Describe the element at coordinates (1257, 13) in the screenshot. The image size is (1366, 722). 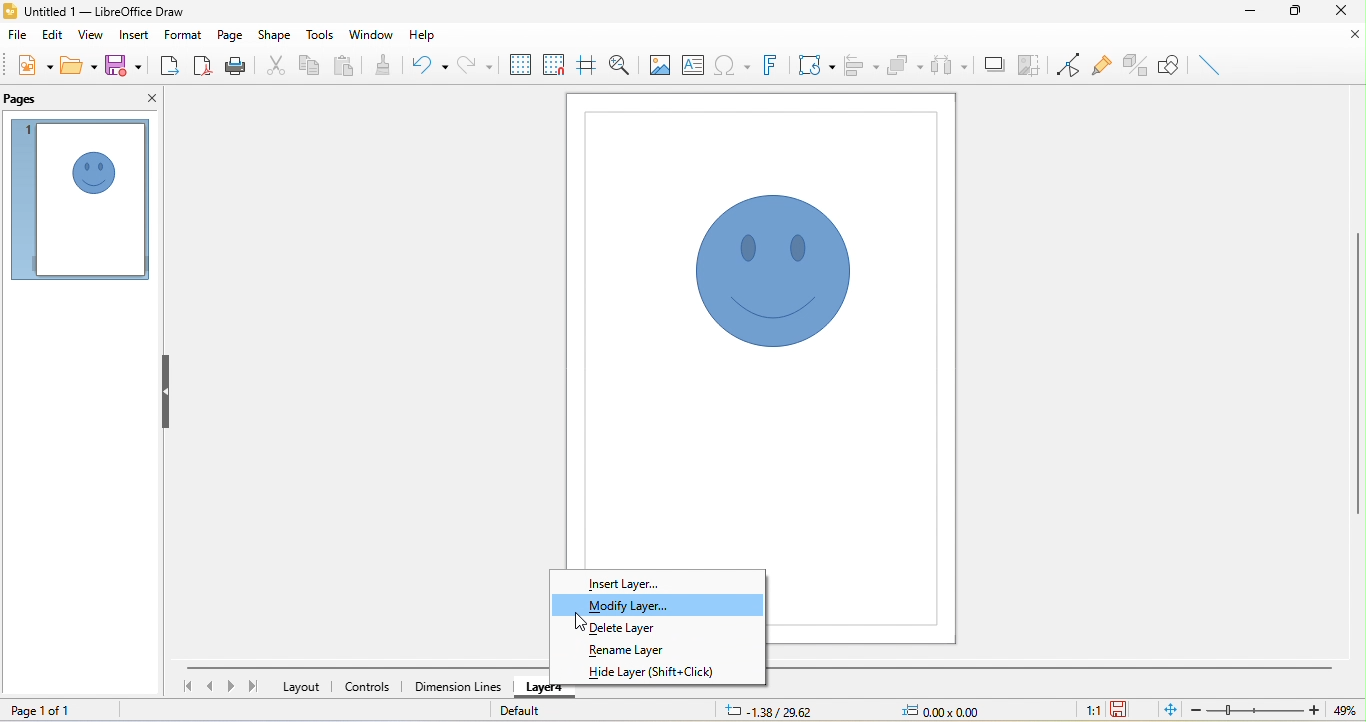
I see `minimize` at that location.